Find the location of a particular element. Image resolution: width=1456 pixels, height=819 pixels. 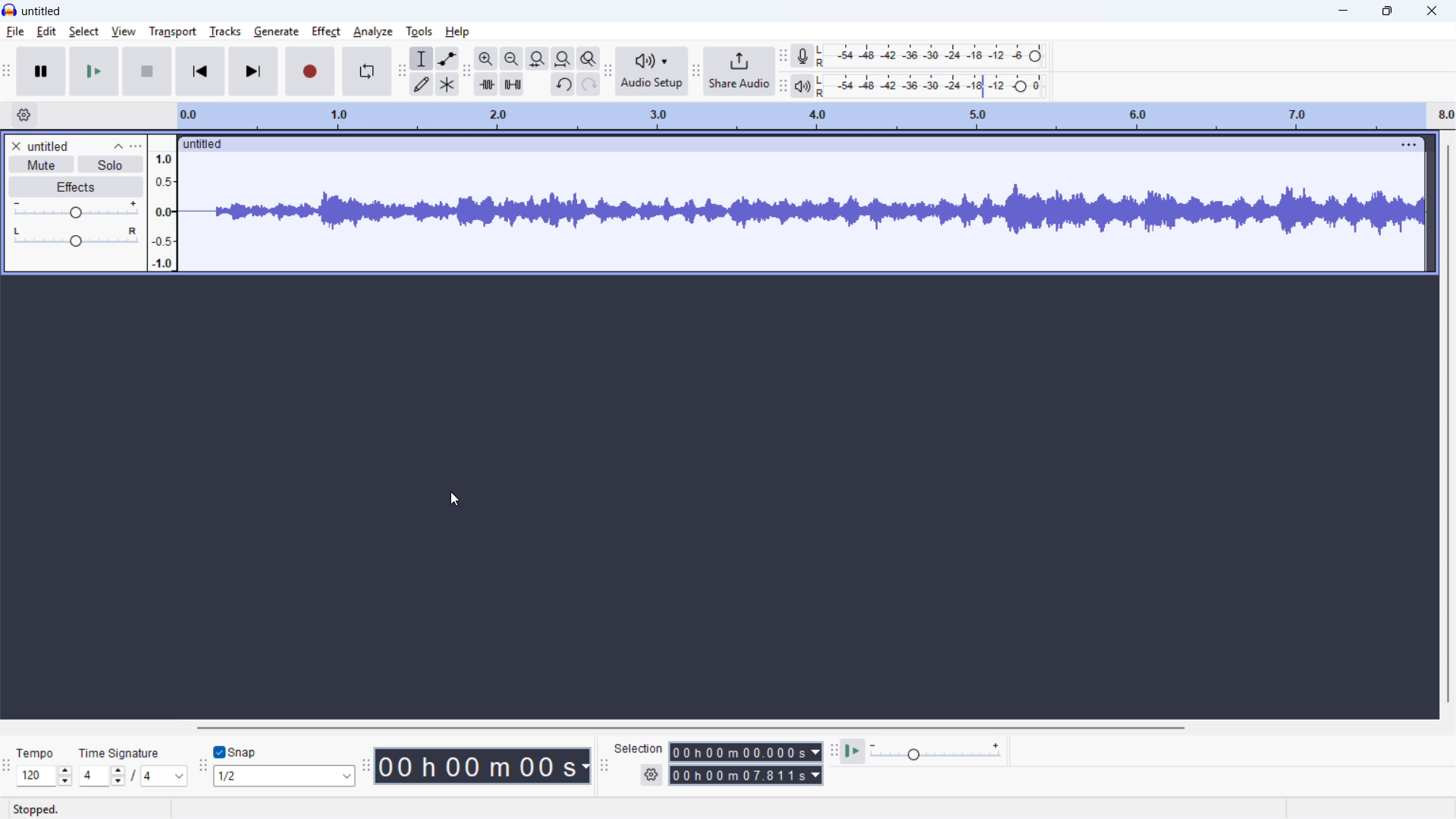

time toolbar is located at coordinates (365, 766).